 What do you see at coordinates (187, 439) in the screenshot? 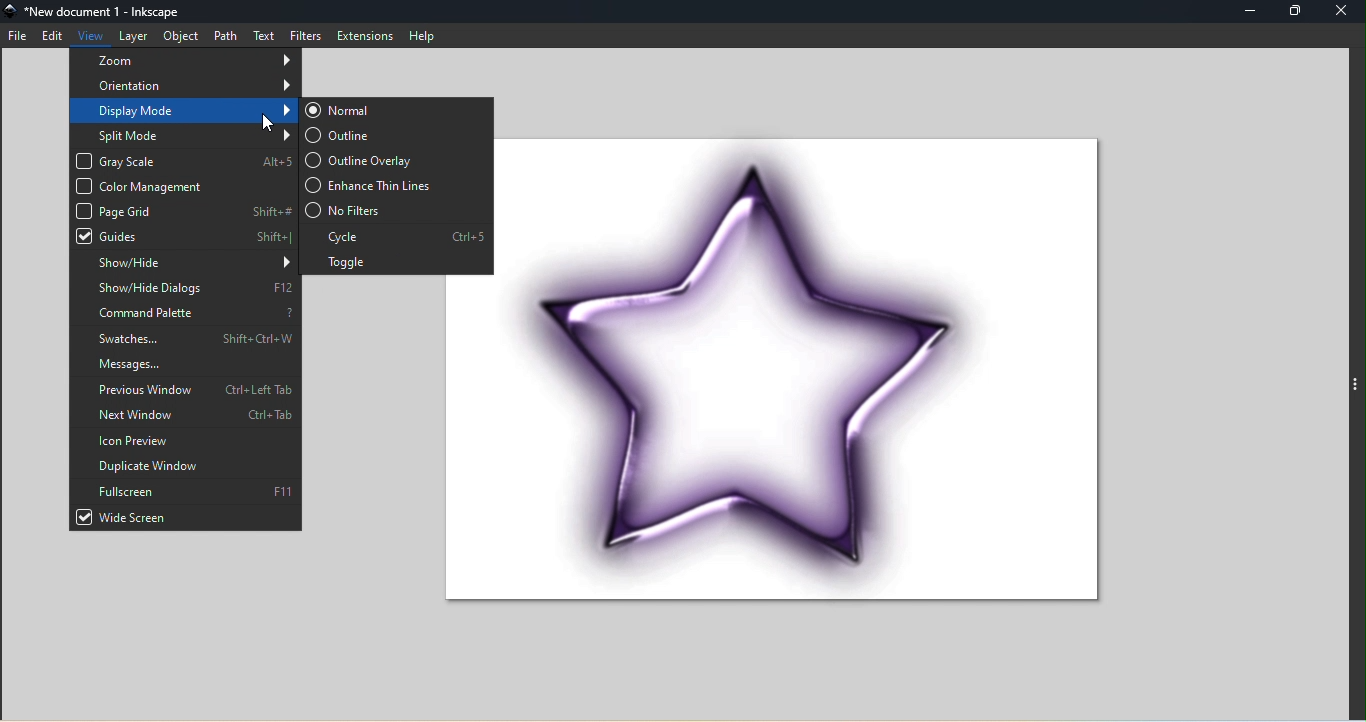
I see `Icon preview` at bounding box center [187, 439].